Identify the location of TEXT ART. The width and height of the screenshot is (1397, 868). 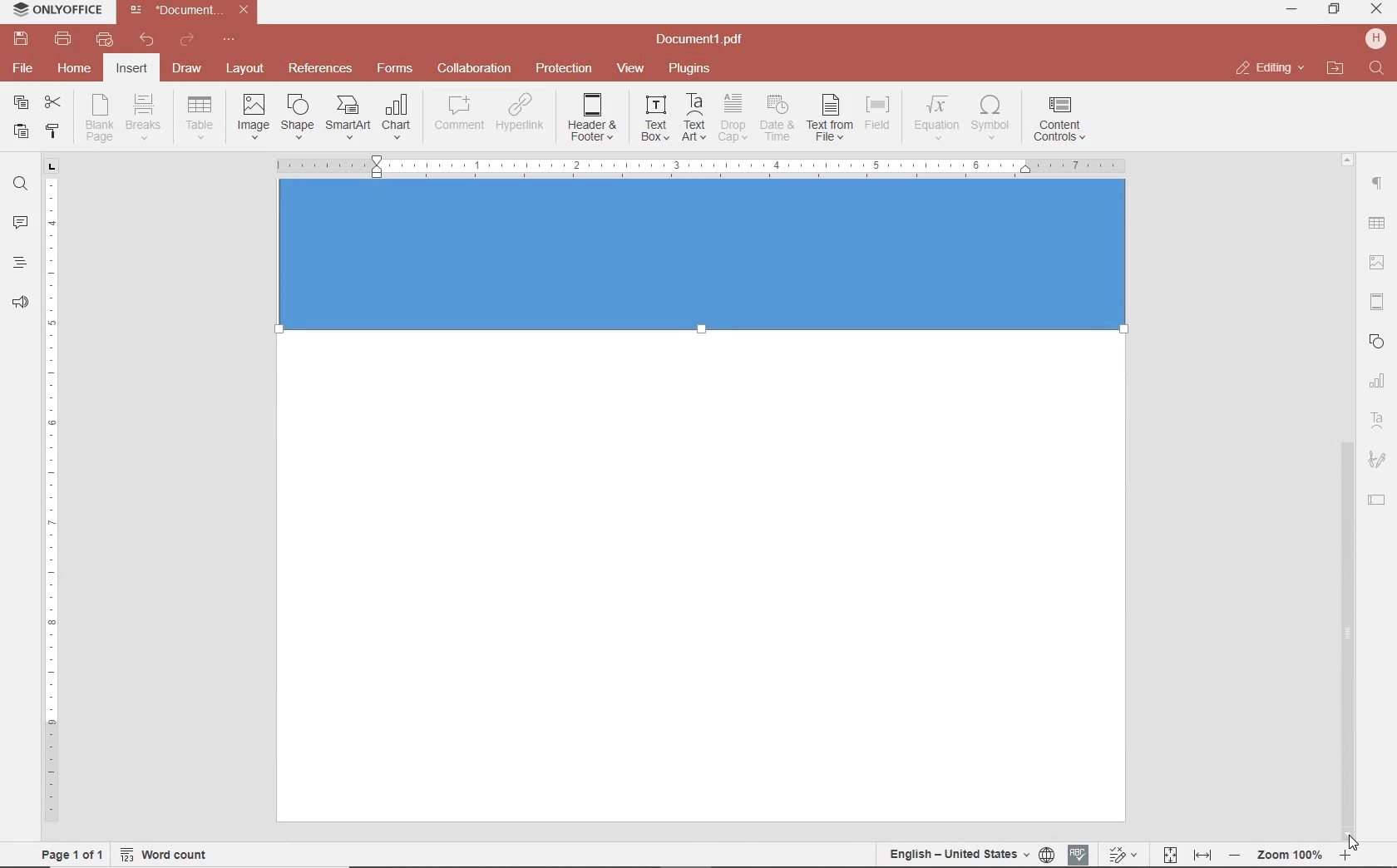
(1378, 422).